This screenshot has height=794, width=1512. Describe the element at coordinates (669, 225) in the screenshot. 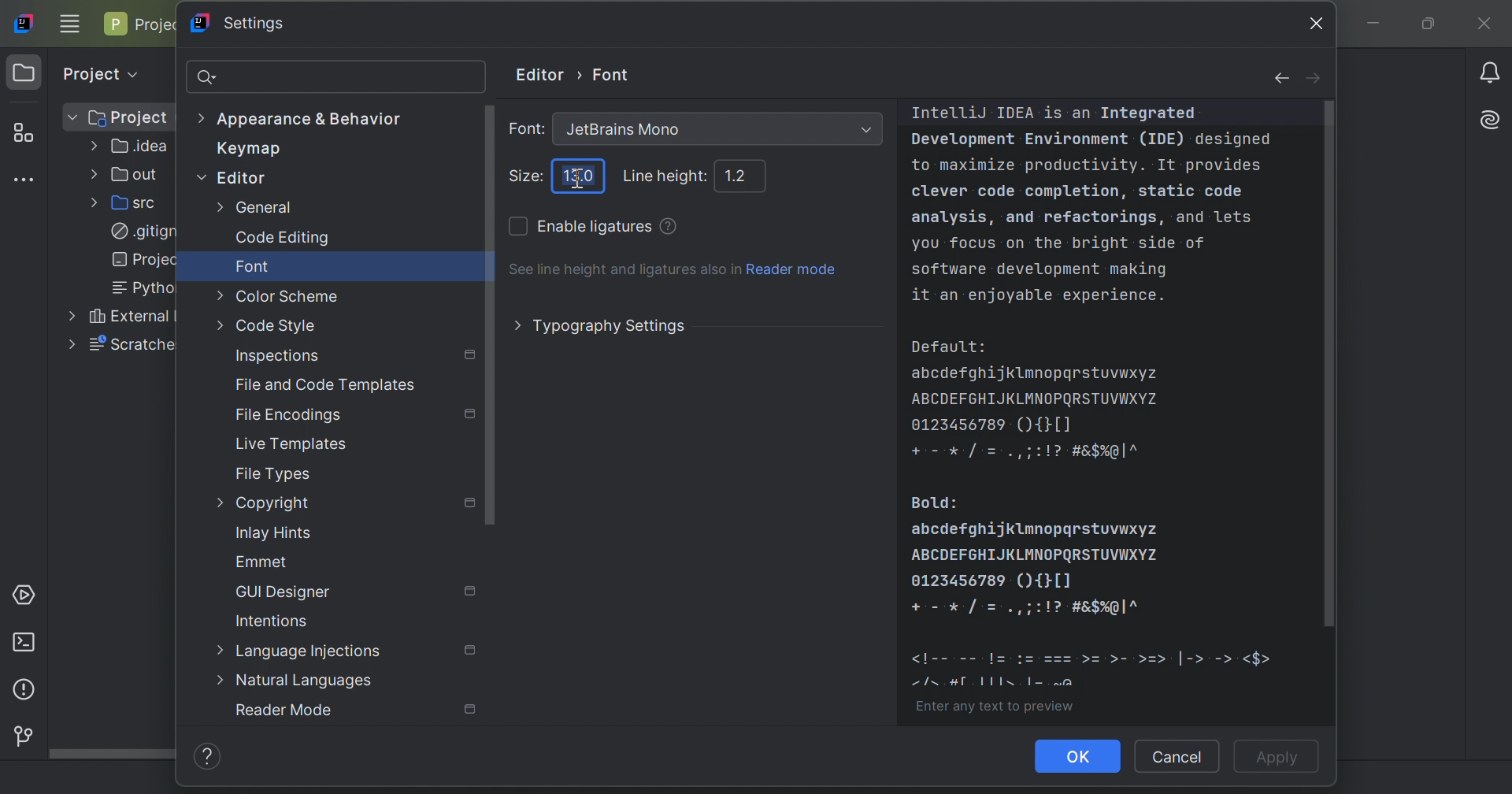

I see `Use several characters as a single ligature. Ligatures enhance code readability. Use the section below to preview the changes.` at that location.